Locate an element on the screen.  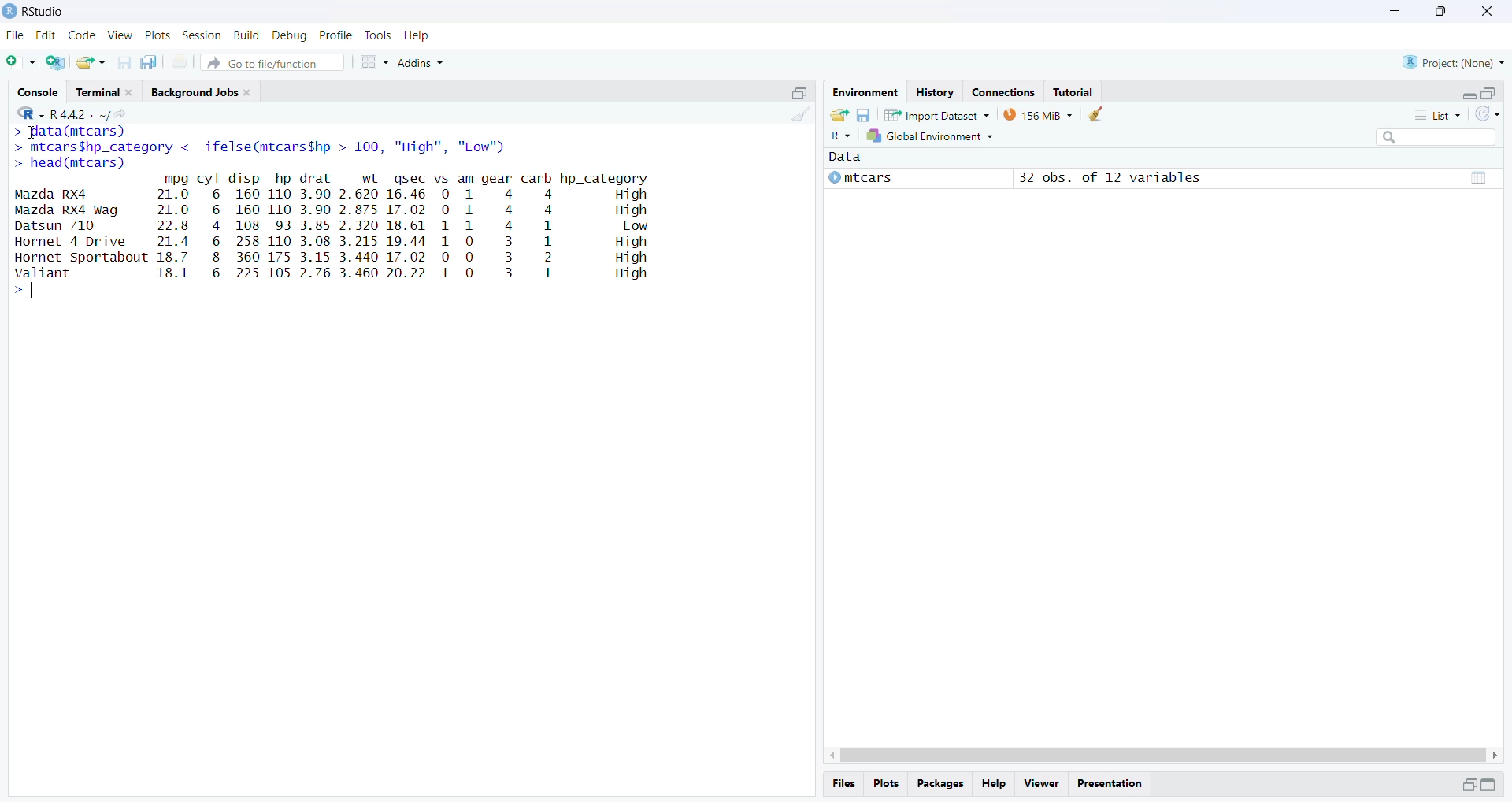
Debug is located at coordinates (289, 35).